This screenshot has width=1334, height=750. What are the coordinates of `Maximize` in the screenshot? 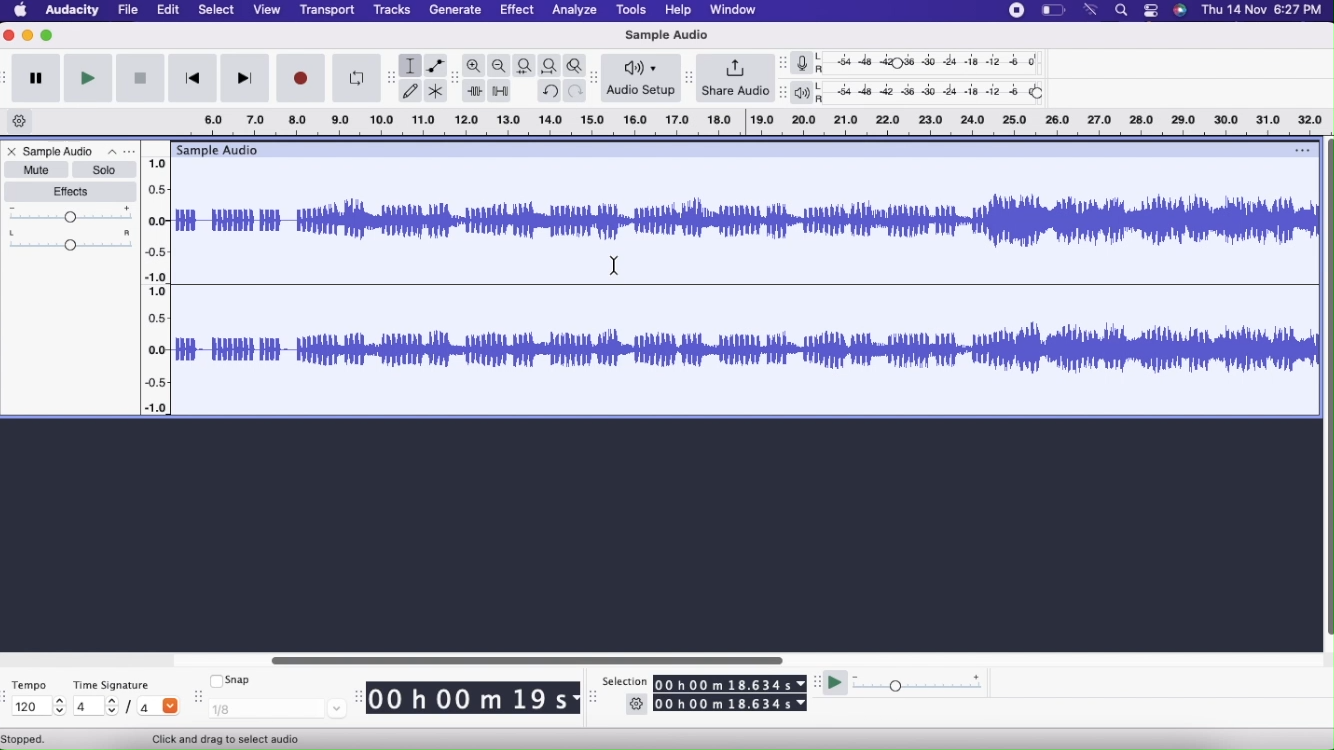 It's located at (48, 37).